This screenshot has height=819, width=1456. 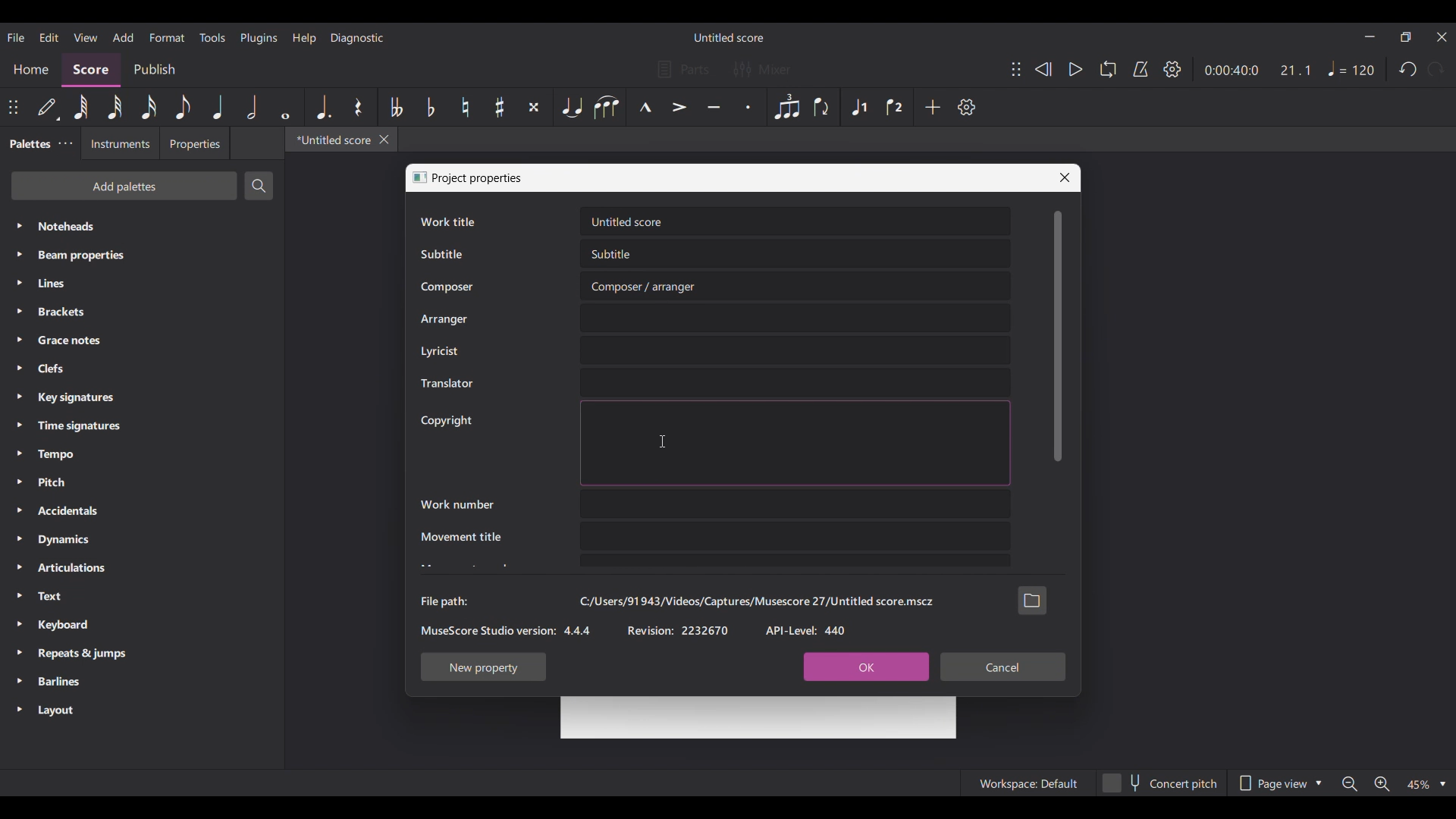 I want to click on Add palettes, so click(x=124, y=186).